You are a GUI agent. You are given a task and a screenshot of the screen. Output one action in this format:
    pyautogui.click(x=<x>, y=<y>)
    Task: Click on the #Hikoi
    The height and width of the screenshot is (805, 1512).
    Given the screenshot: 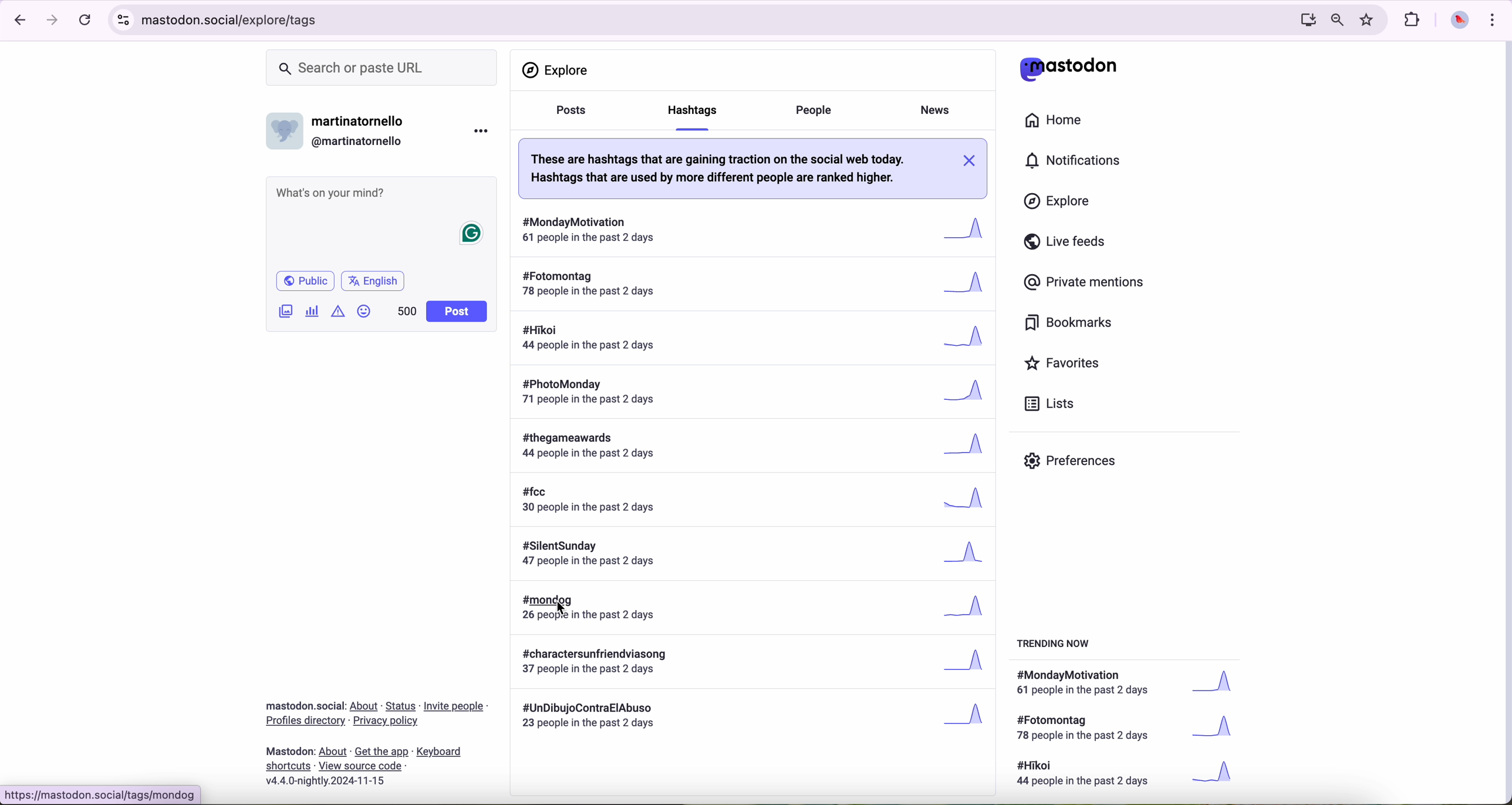 What is the action you would take?
    pyautogui.click(x=755, y=339)
    